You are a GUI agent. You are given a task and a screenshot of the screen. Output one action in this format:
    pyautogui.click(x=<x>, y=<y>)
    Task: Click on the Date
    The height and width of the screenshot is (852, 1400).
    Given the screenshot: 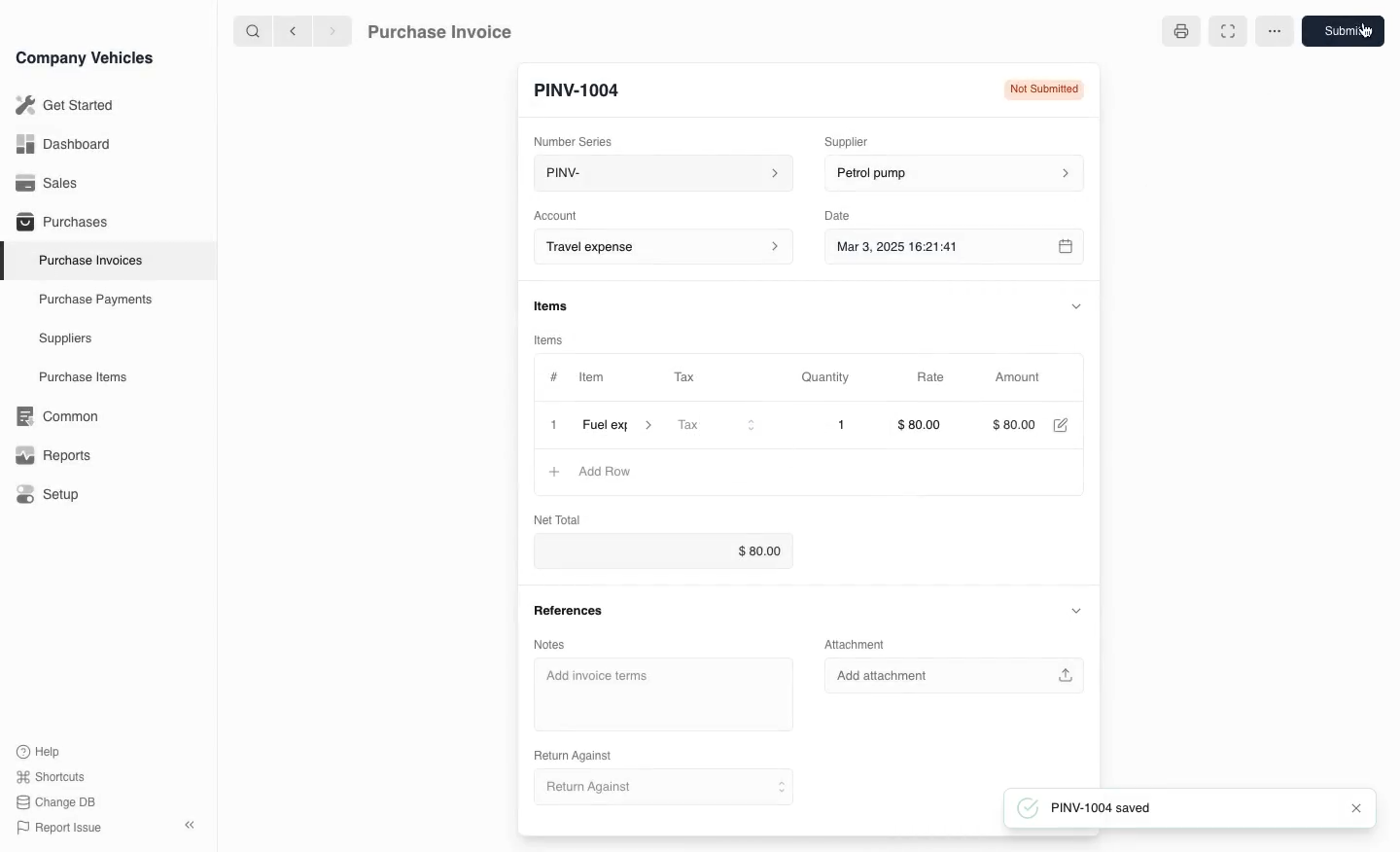 What is the action you would take?
    pyautogui.click(x=838, y=216)
    